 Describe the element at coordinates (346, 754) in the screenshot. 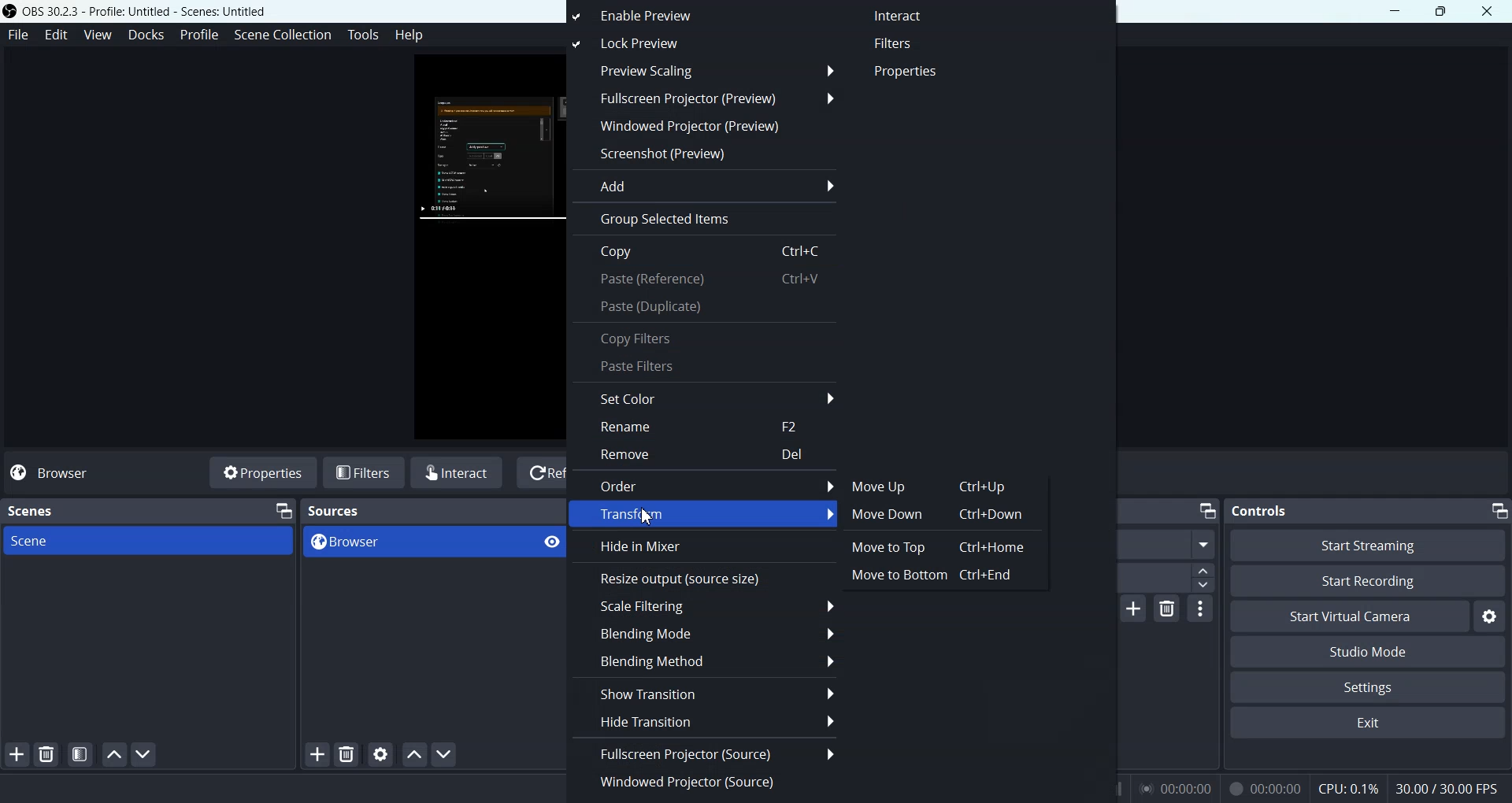

I see `Remove selected Source` at that location.